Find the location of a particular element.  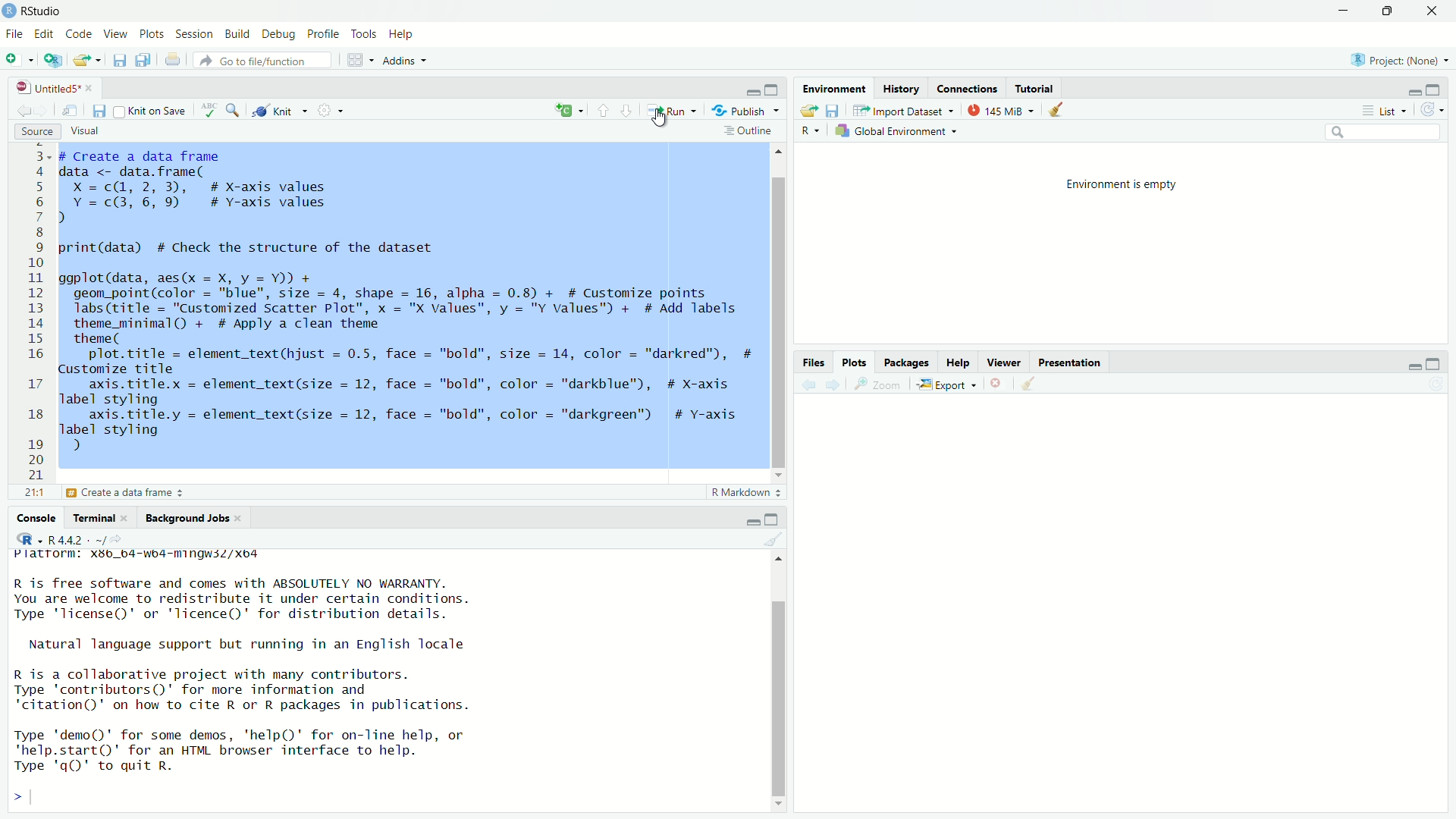

Search is located at coordinates (1382, 131).